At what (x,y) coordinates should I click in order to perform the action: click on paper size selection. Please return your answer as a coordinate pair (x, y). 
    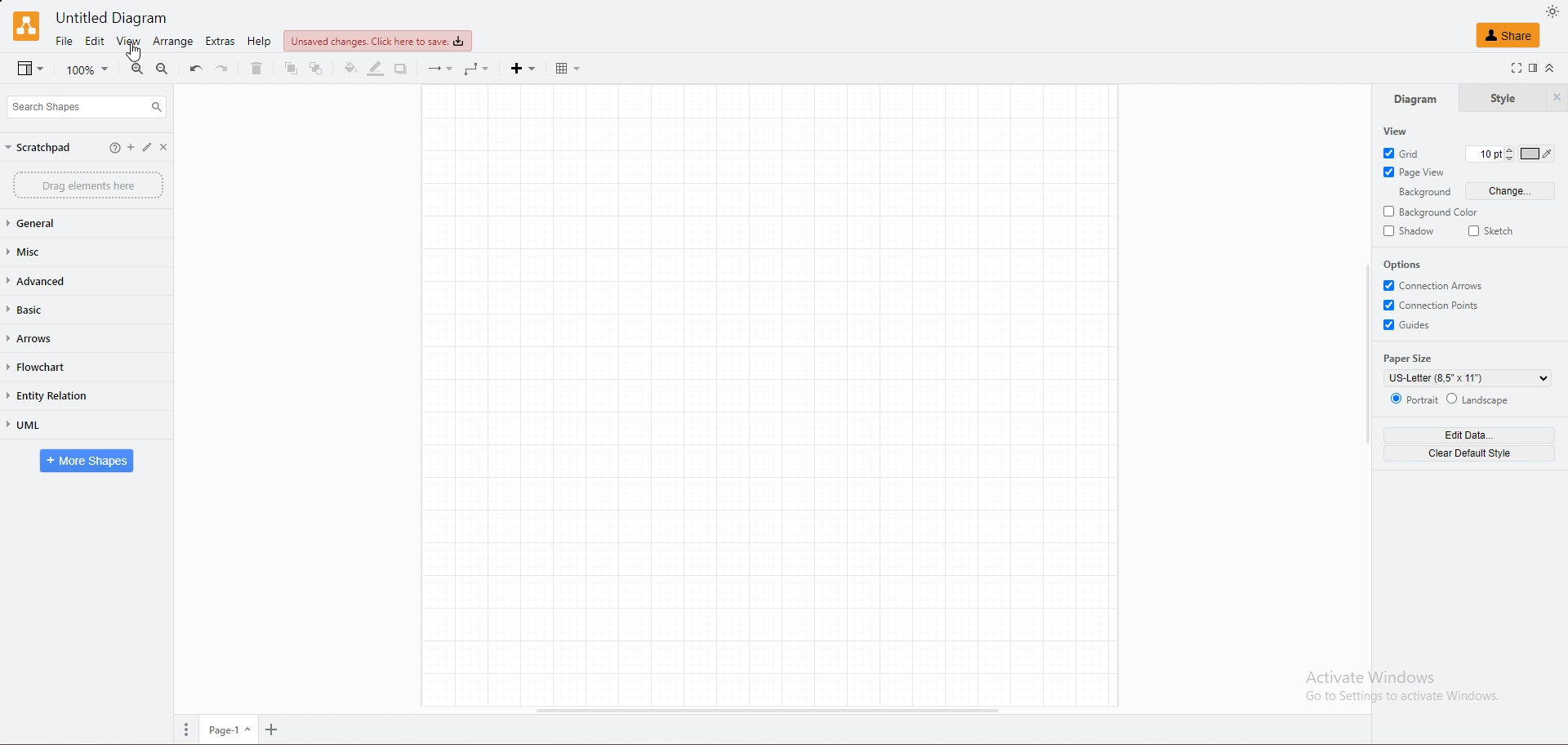
    Looking at the image, I should click on (1469, 378).